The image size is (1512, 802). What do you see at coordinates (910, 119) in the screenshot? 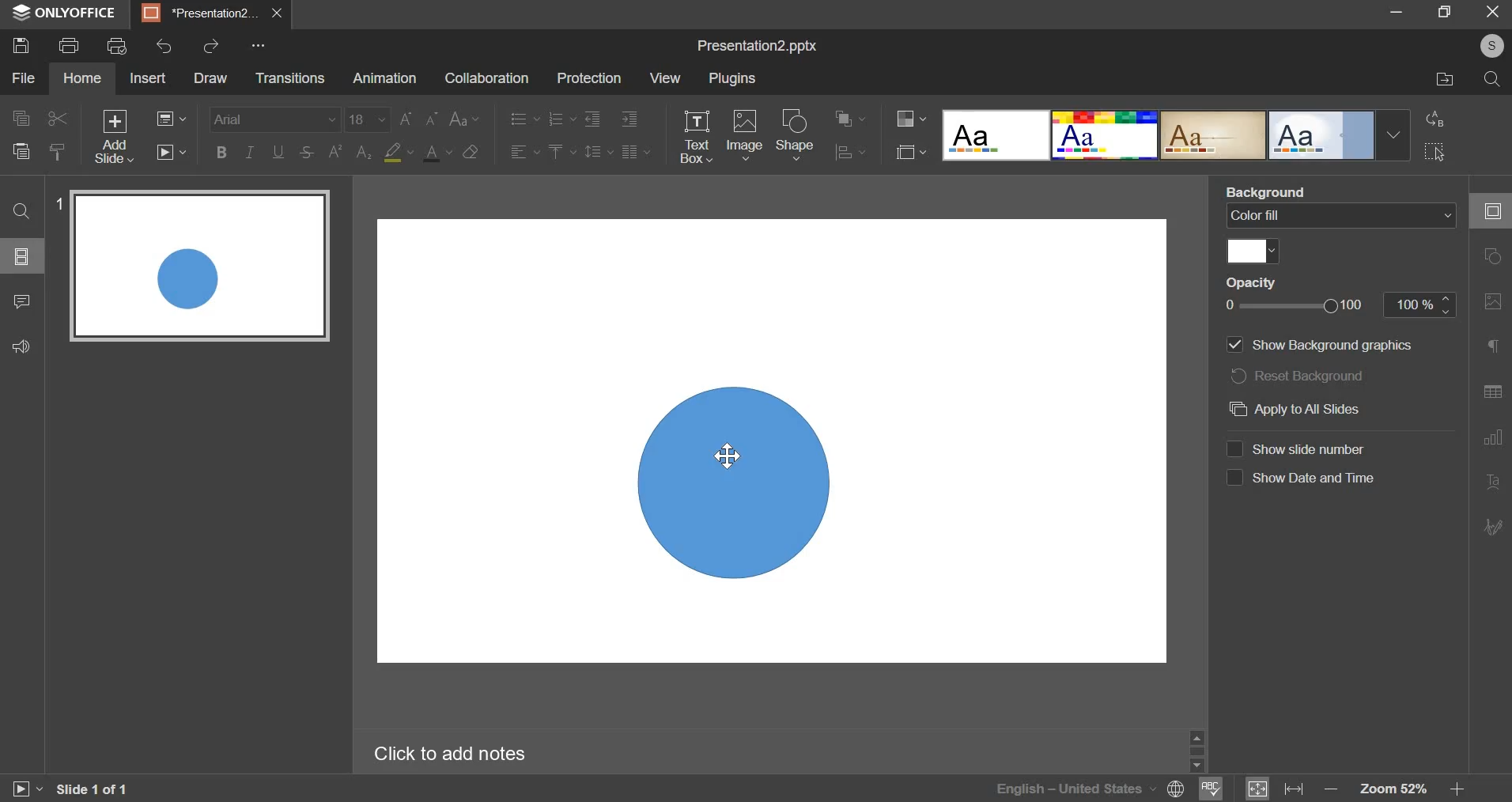
I see `change color theme` at bounding box center [910, 119].